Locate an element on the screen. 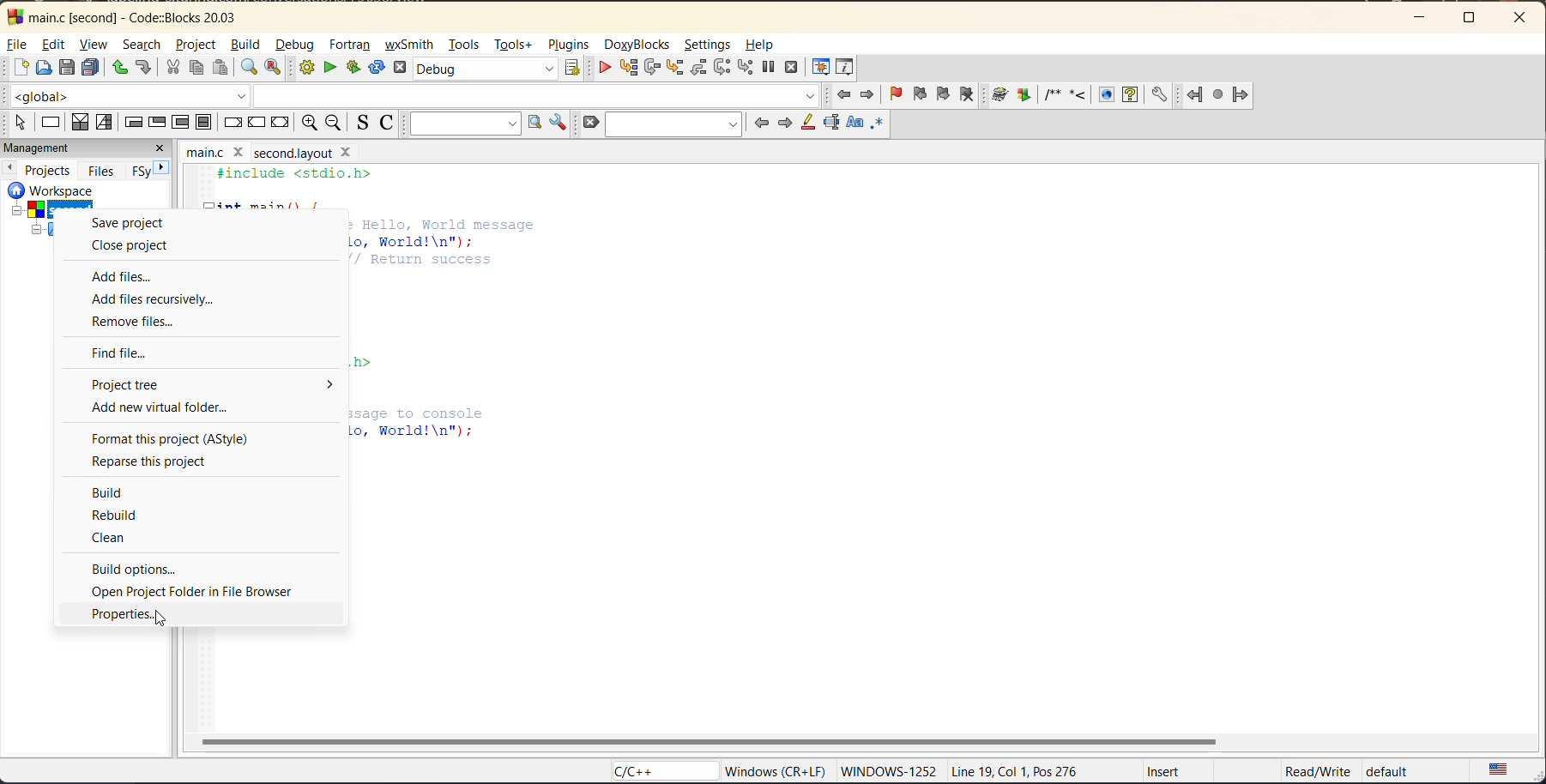 The image size is (1546, 784). add files is located at coordinates (124, 276).